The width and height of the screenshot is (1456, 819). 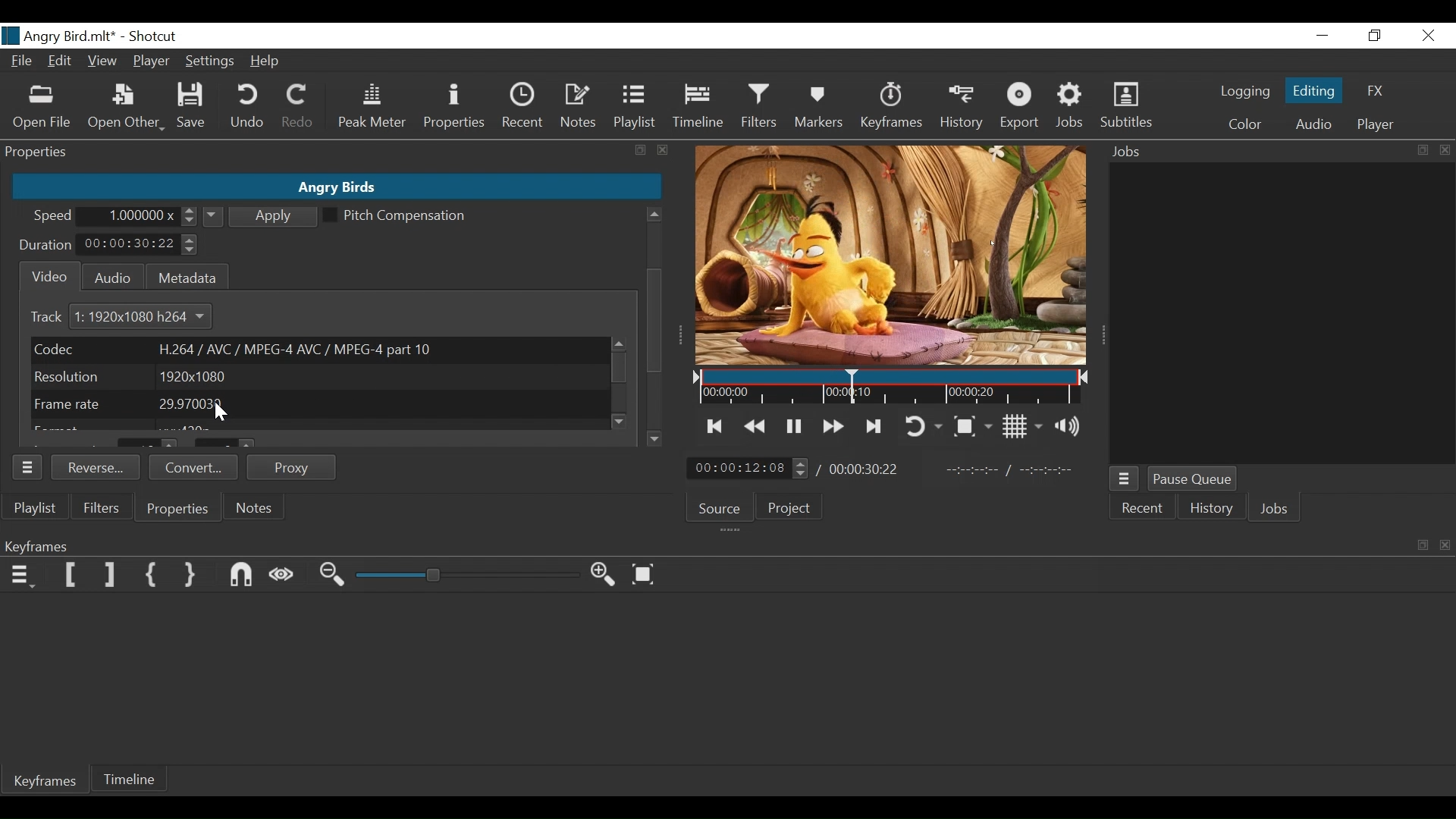 I want to click on Toggle play or pause (space), so click(x=793, y=425).